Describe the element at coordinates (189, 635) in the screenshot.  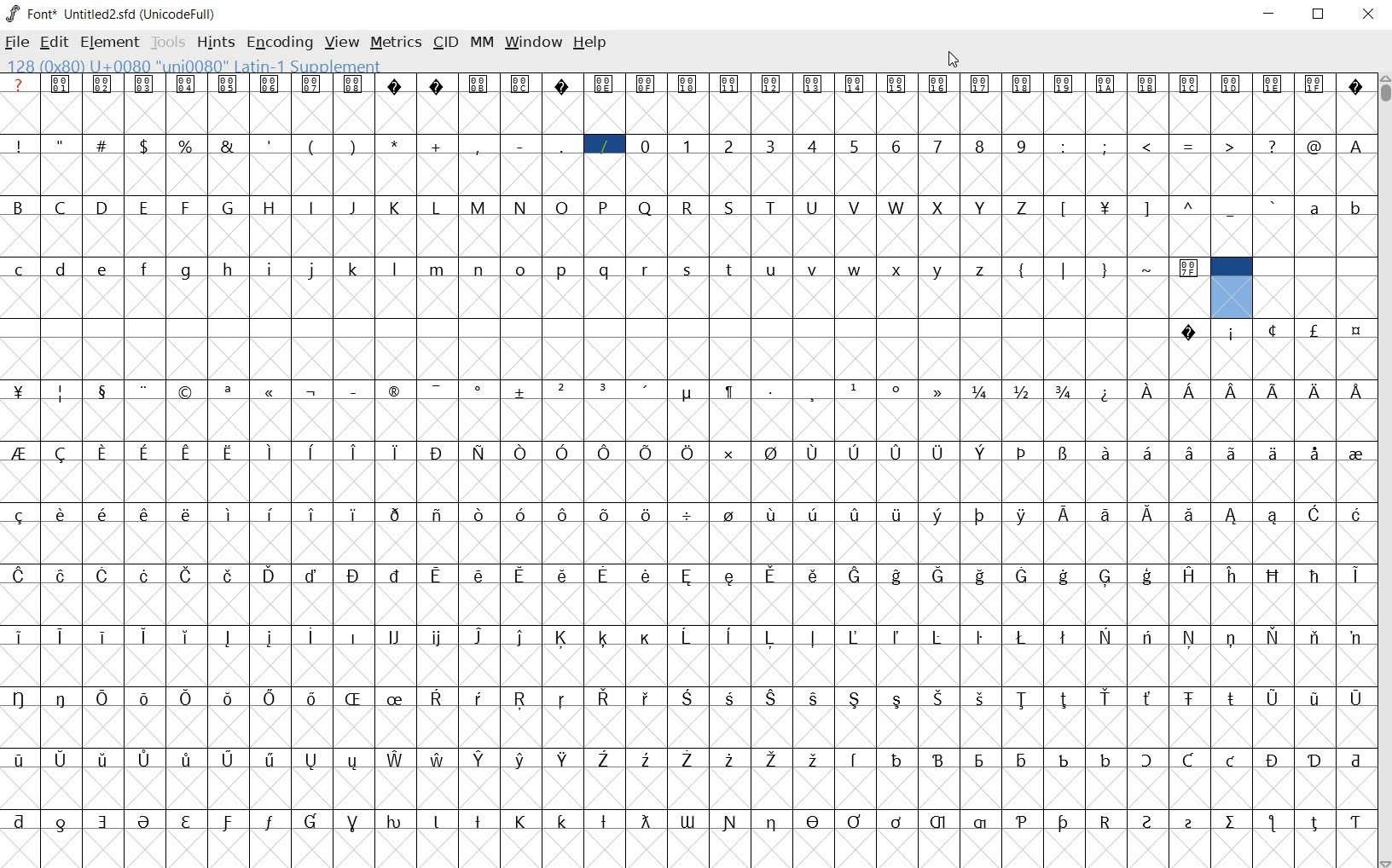
I see `Symbol` at that location.